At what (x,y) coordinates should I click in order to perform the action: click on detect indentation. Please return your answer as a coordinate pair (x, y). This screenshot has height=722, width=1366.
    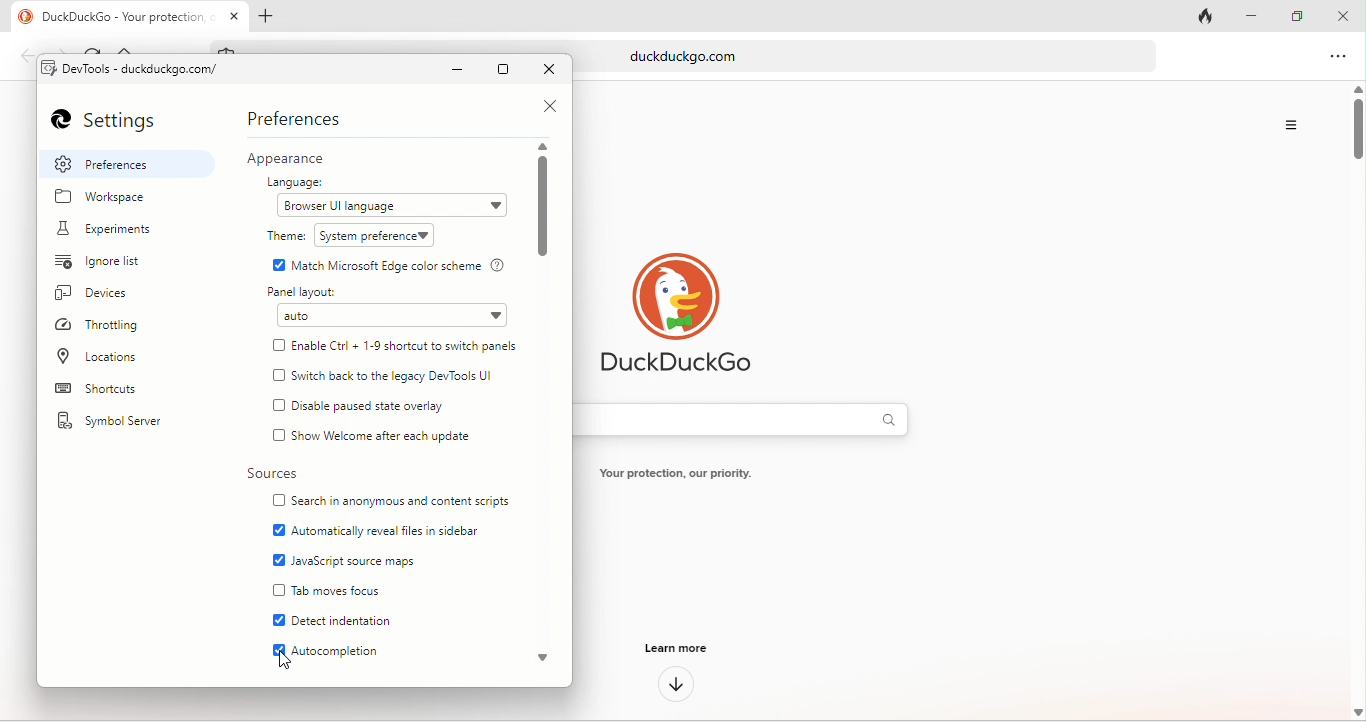
    Looking at the image, I should click on (355, 619).